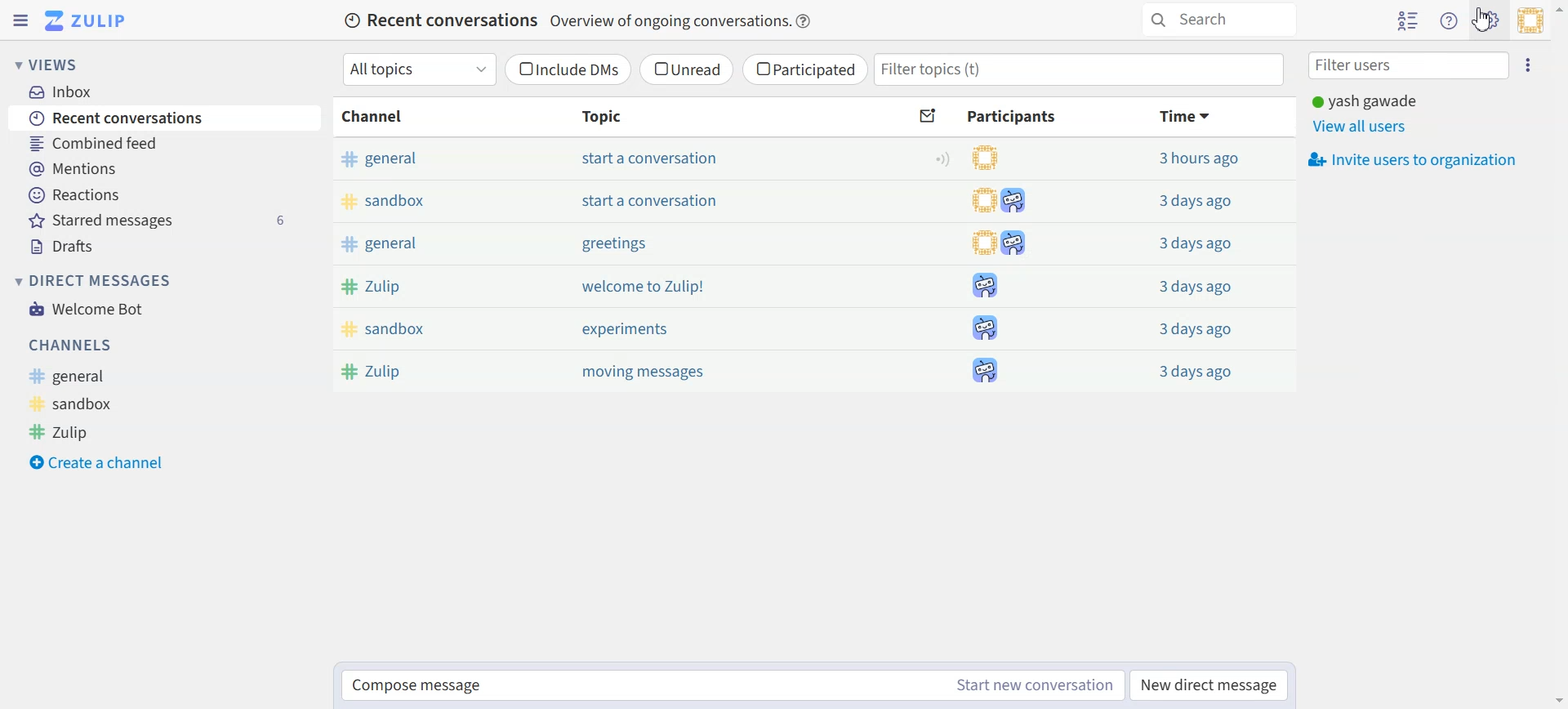  I want to click on participants, so click(987, 286).